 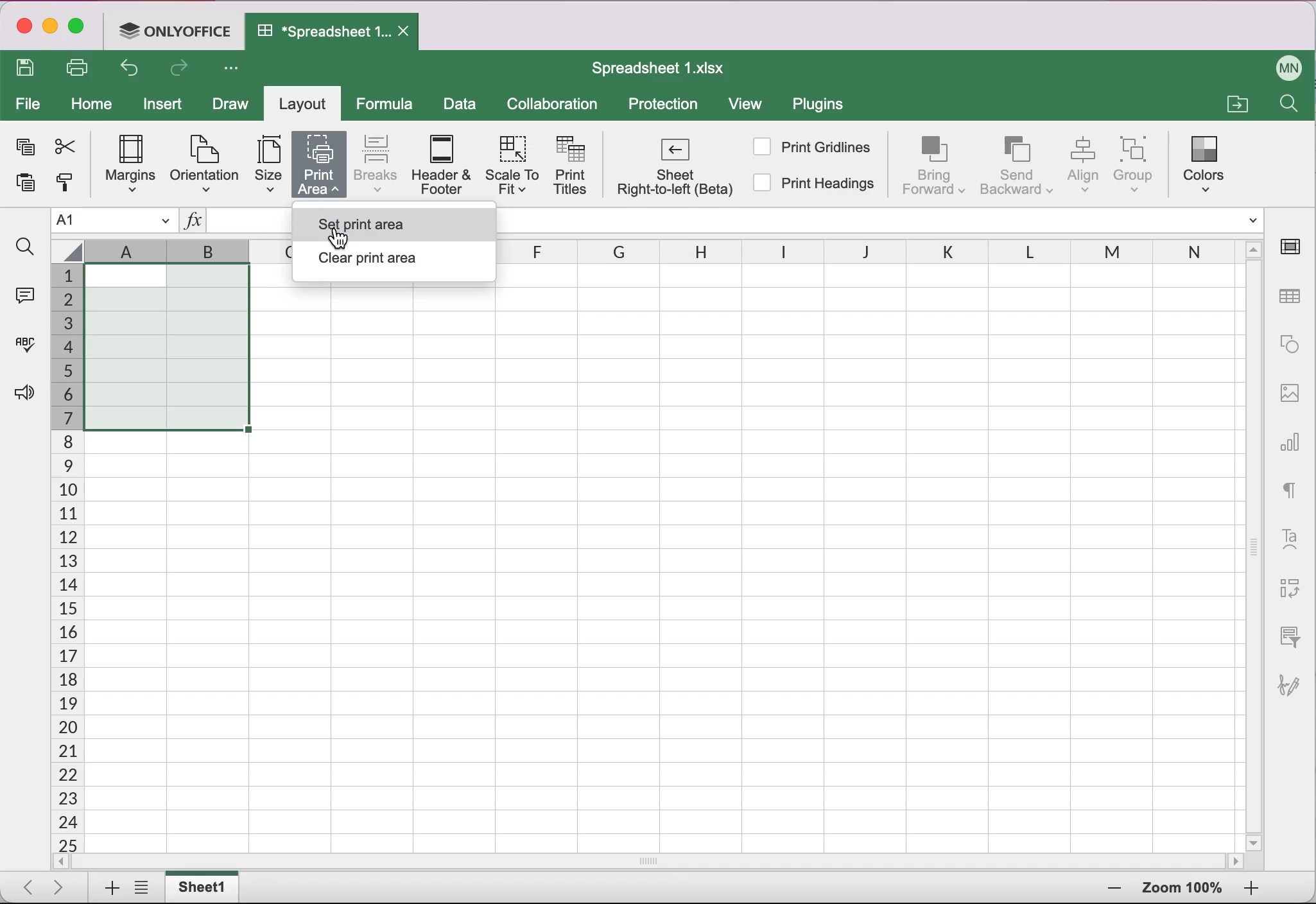 I want to click on Header & footer, so click(x=444, y=166).